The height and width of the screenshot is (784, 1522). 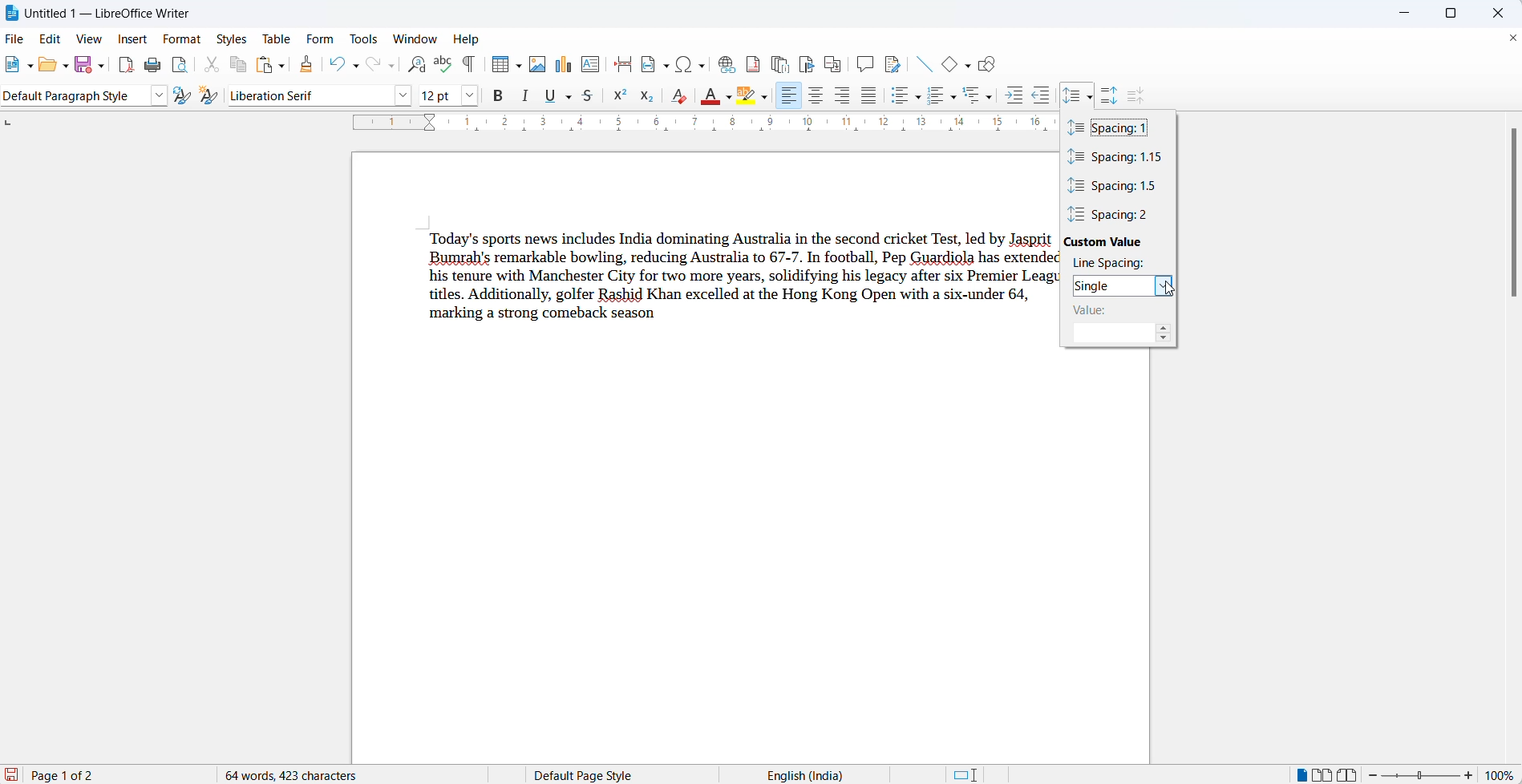 I want to click on set spacing options dropdown button, so click(x=1091, y=99).